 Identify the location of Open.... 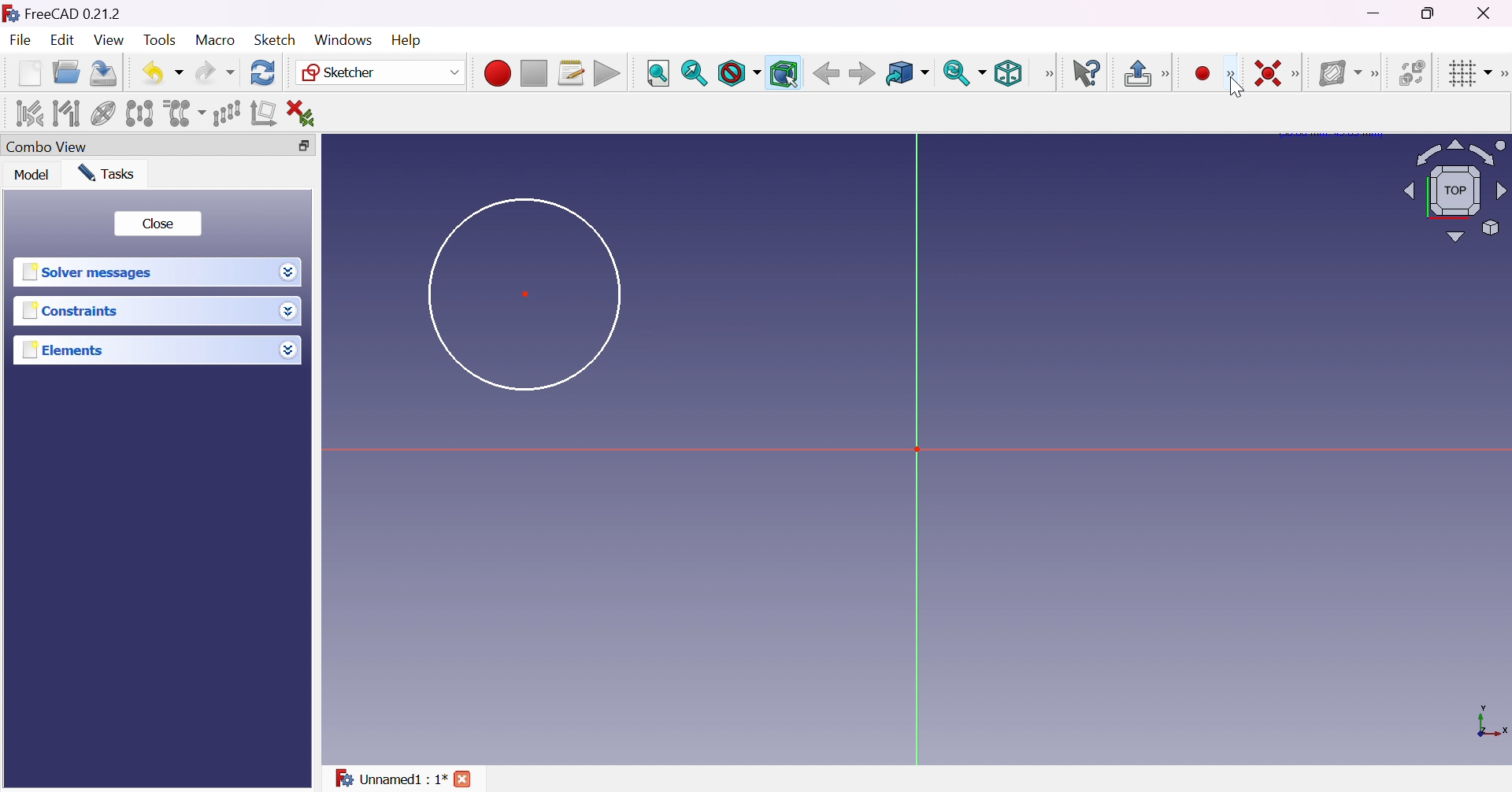
(65, 73).